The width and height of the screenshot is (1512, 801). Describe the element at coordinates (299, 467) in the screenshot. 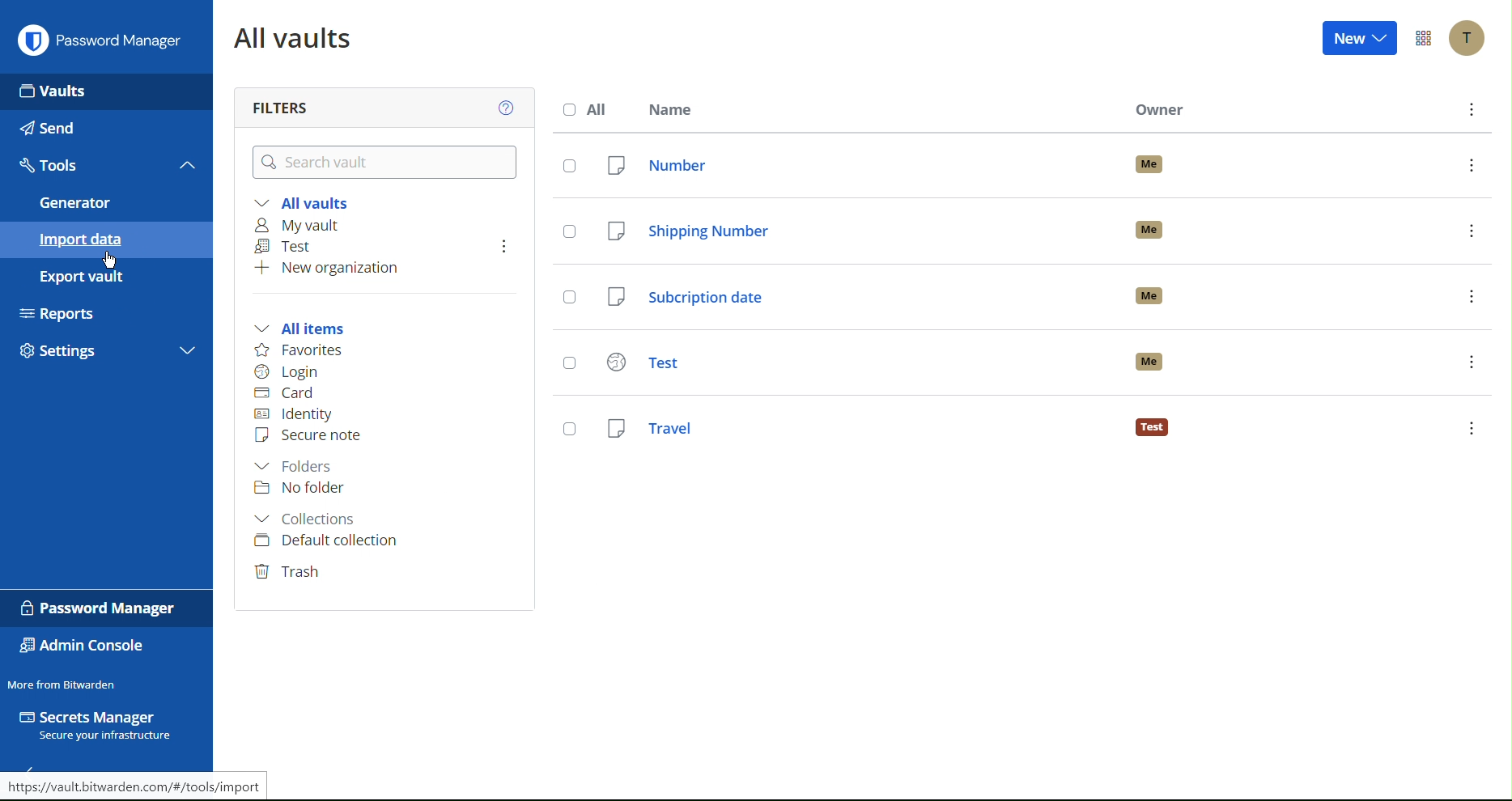

I see `Folders` at that location.